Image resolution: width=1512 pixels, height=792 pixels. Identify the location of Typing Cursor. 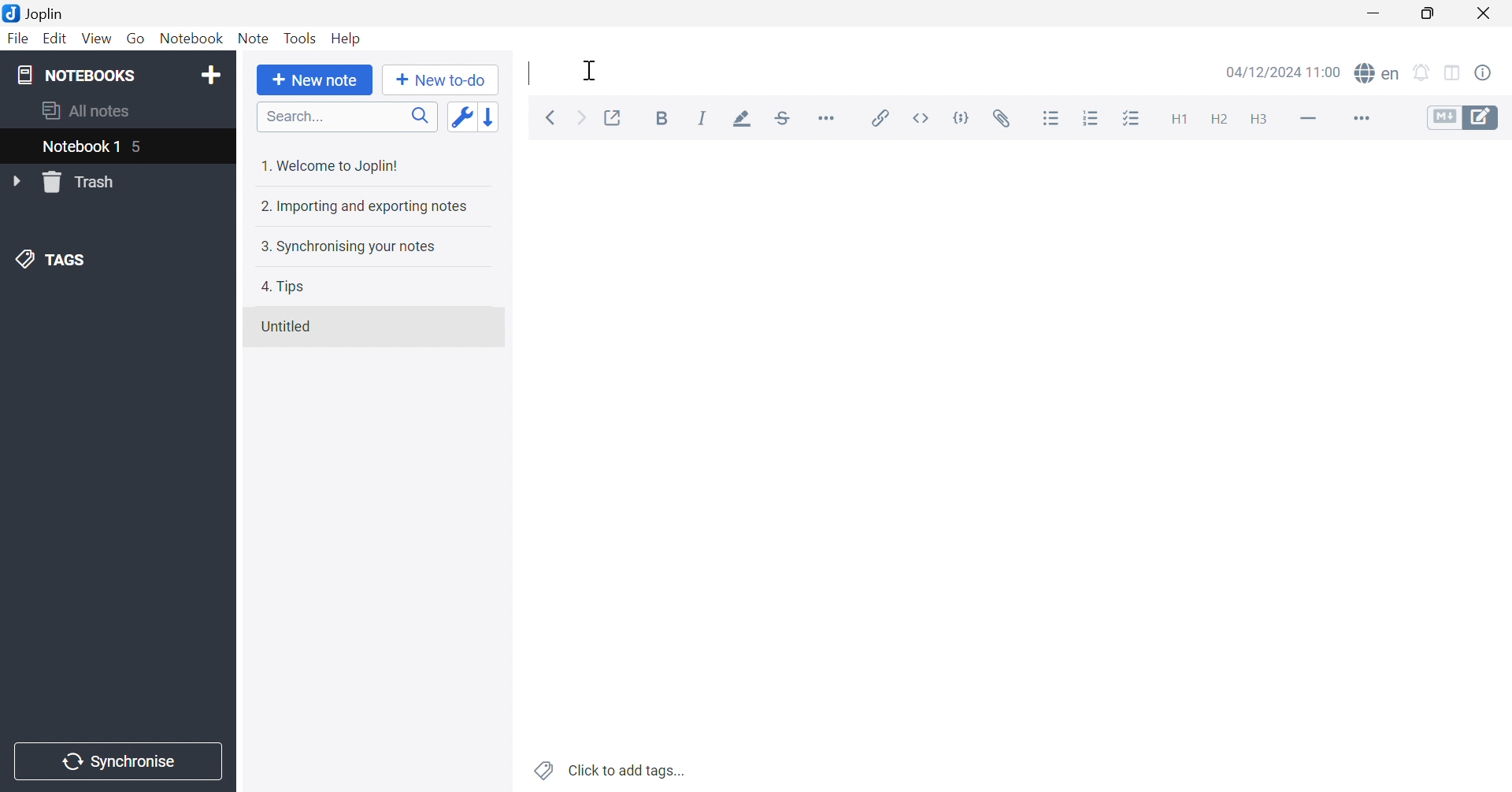
(533, 75).